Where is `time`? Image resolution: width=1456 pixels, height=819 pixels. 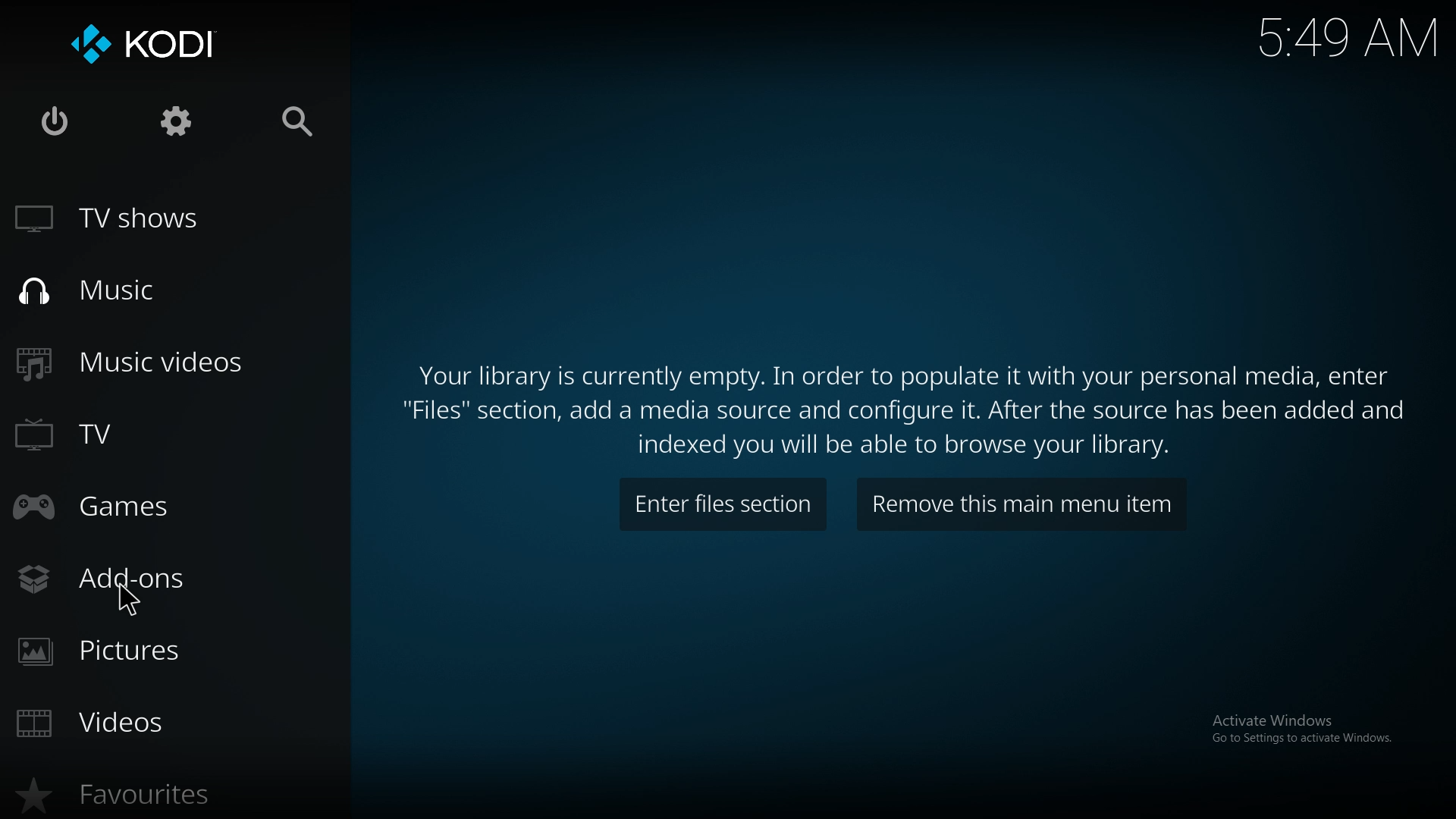 time is located at coordinates (1350, 39).